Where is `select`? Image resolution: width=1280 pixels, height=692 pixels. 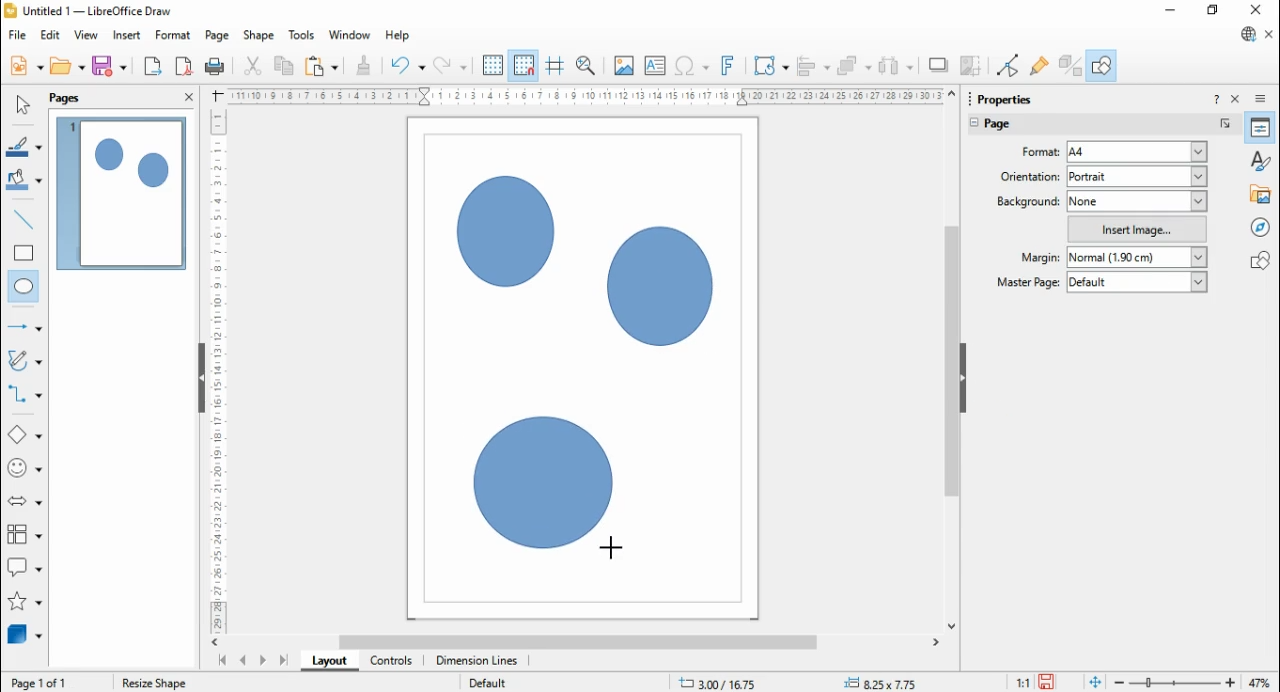
select is located at coordinates (22, 104).